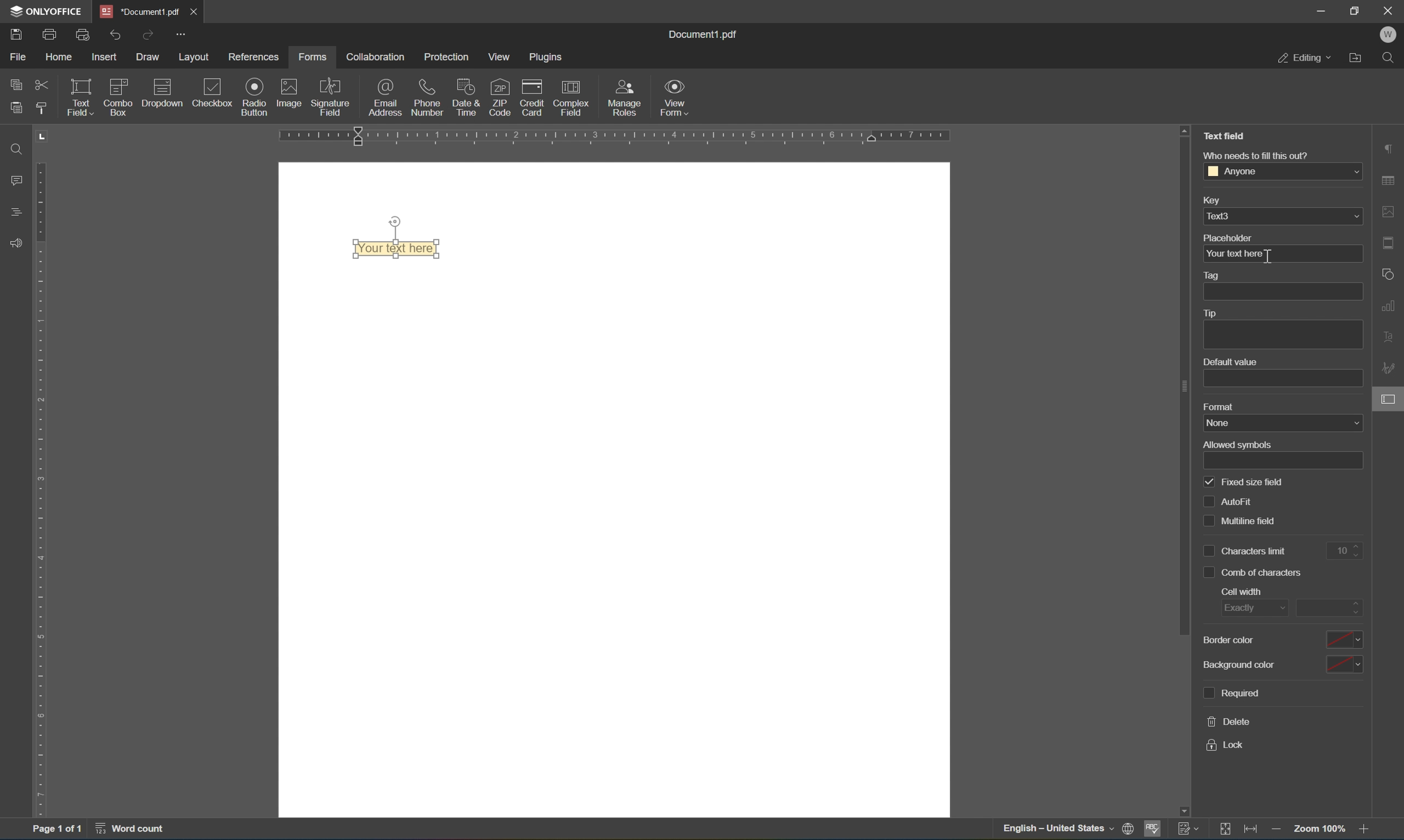 This screenshot has height=840, width=1404. Describe the element at coordinates (1393, 340) in the screenshot. I see `text art settings` at that location.